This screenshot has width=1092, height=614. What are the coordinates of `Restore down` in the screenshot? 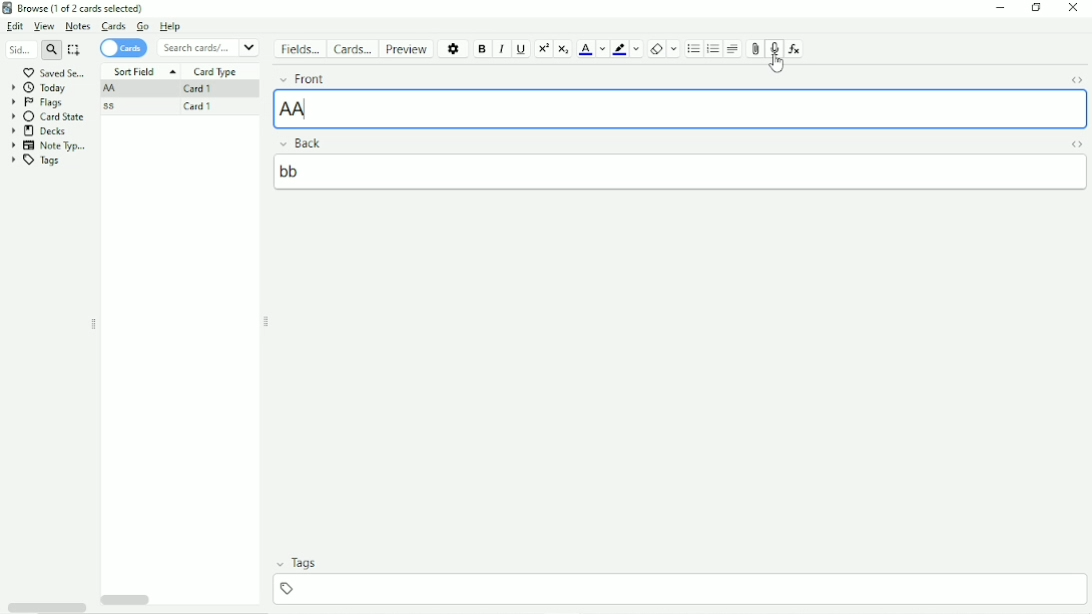 It's located at (1039, 8).